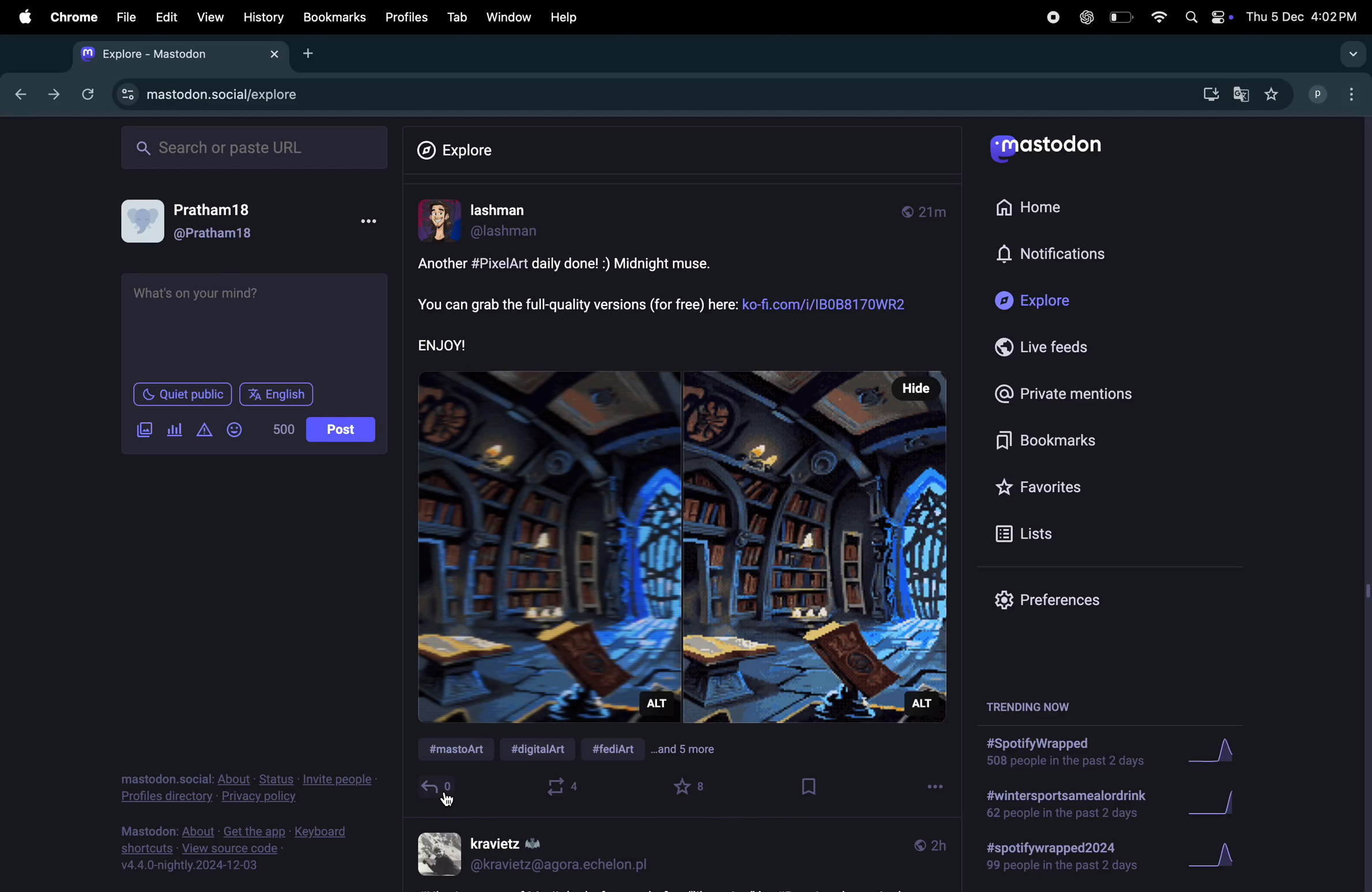 Image resolution: width=1372 pixels, height=892 pixels. Describe the element at coordinates (166, 20) in the screenshot. I see `Edit` at that location.